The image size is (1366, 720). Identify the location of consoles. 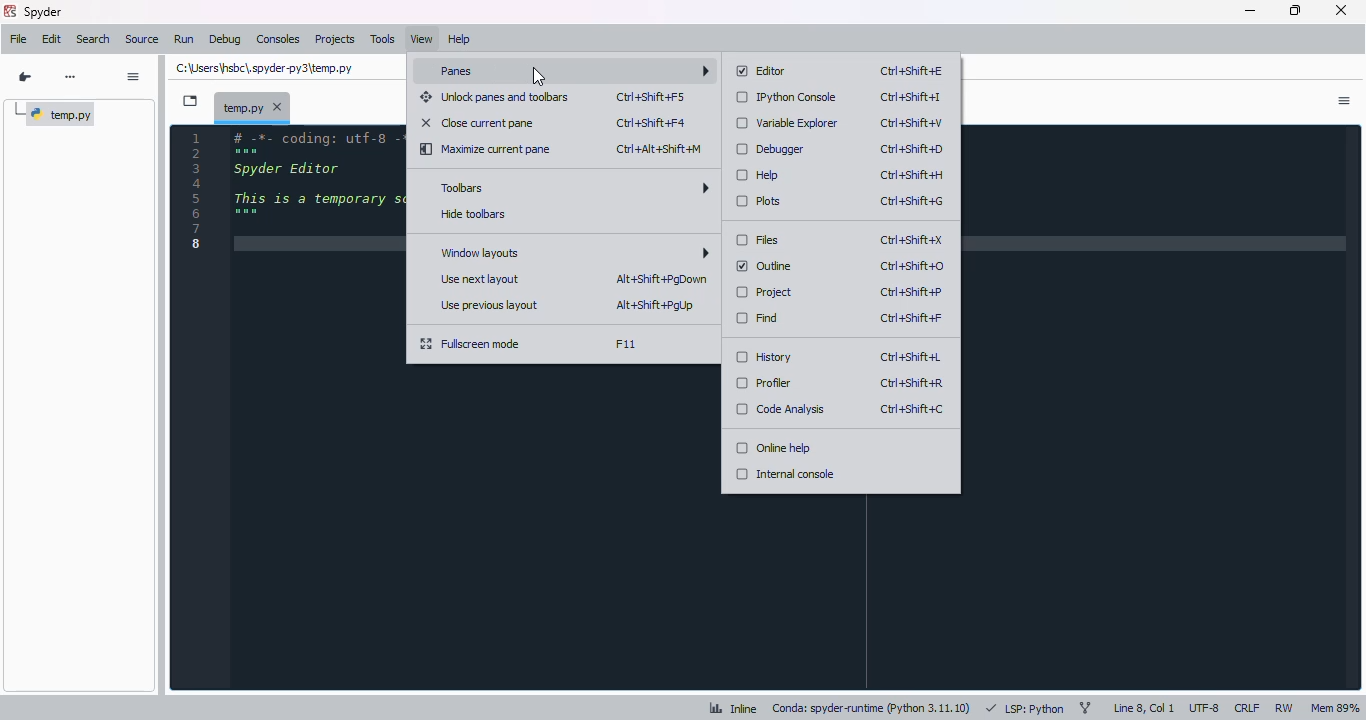
(279, 40).